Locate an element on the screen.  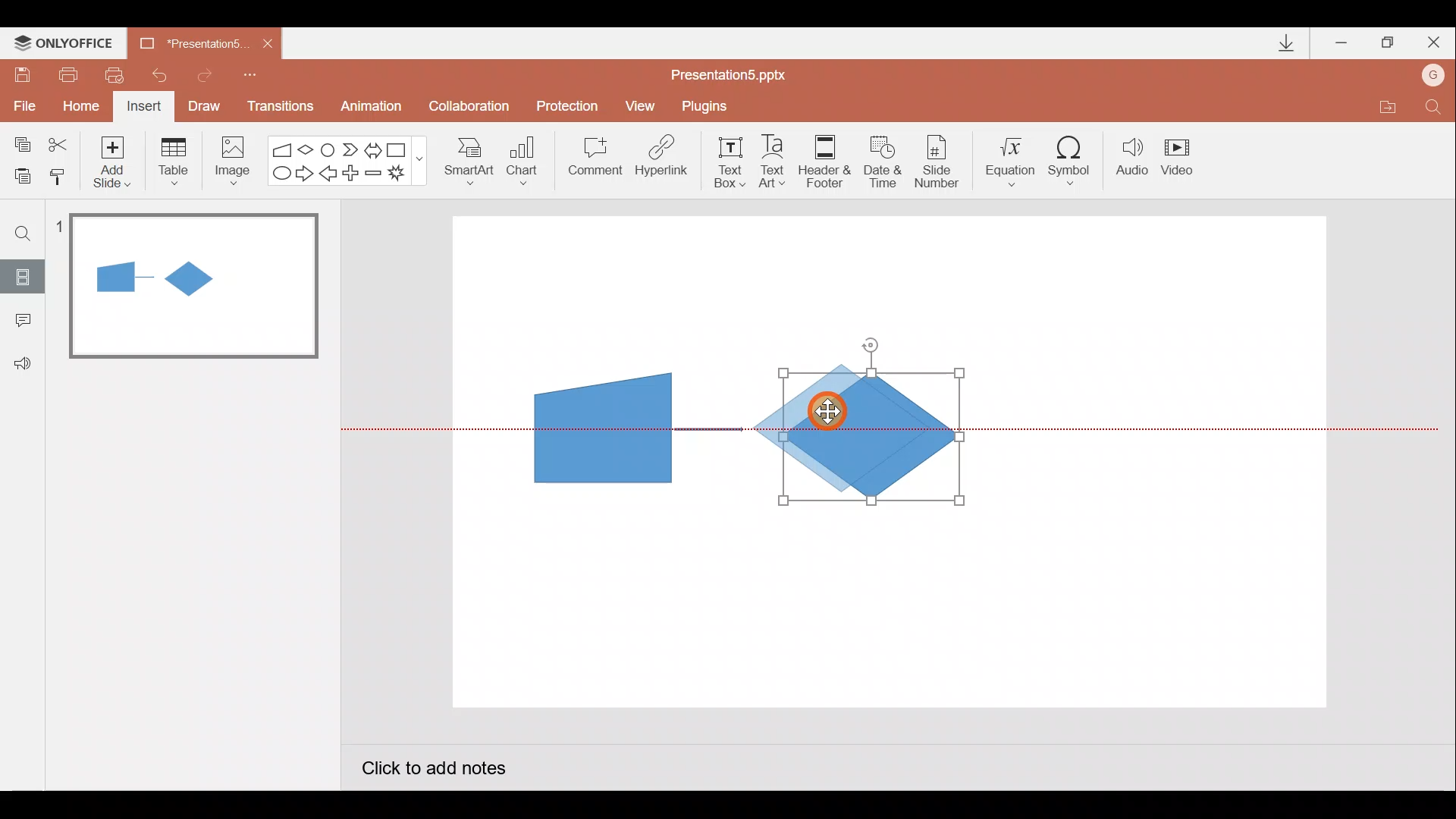
Left arrow is located at coordinates (329, 175).